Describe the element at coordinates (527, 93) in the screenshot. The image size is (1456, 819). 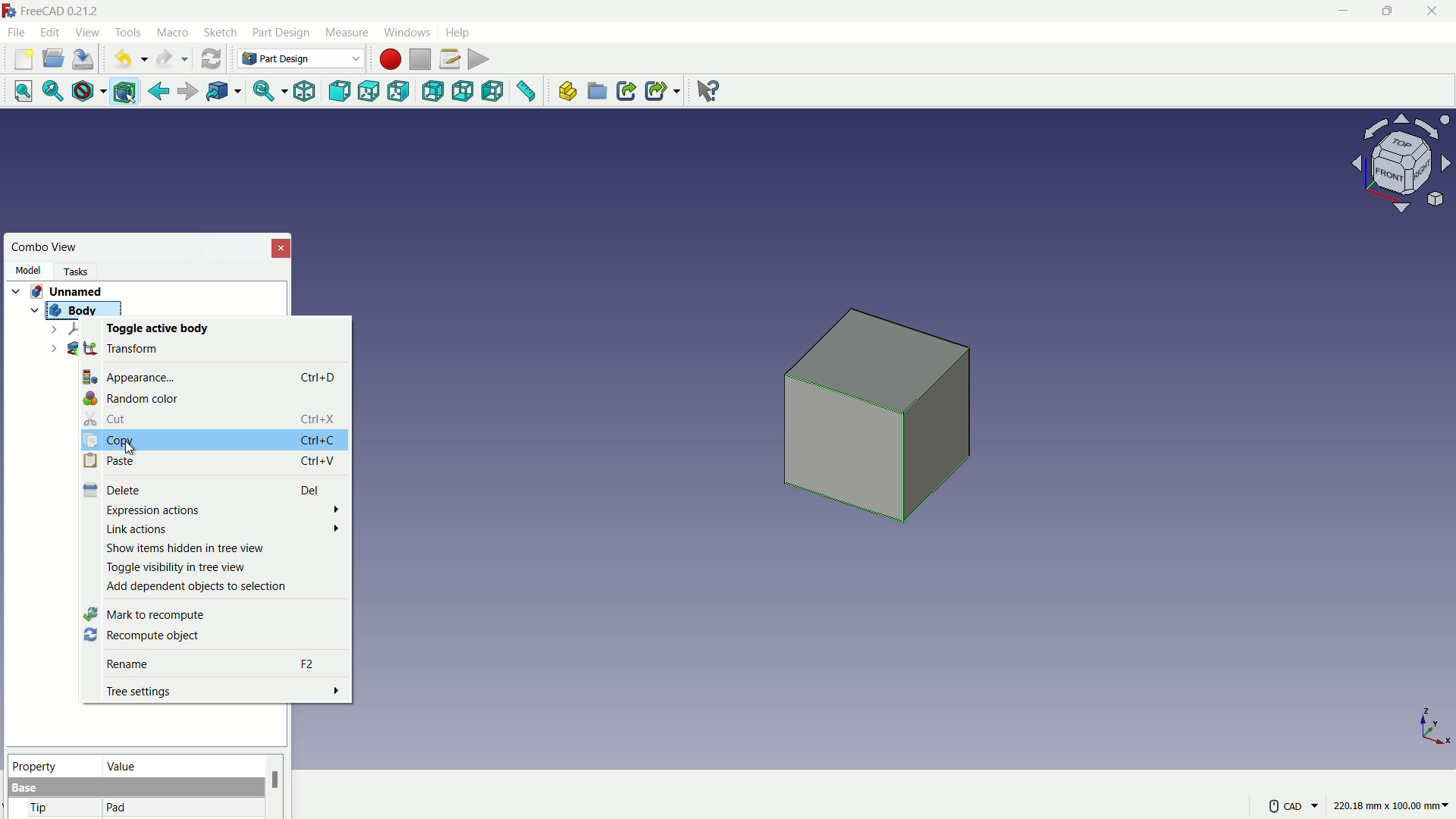
I see `measure` at that location.